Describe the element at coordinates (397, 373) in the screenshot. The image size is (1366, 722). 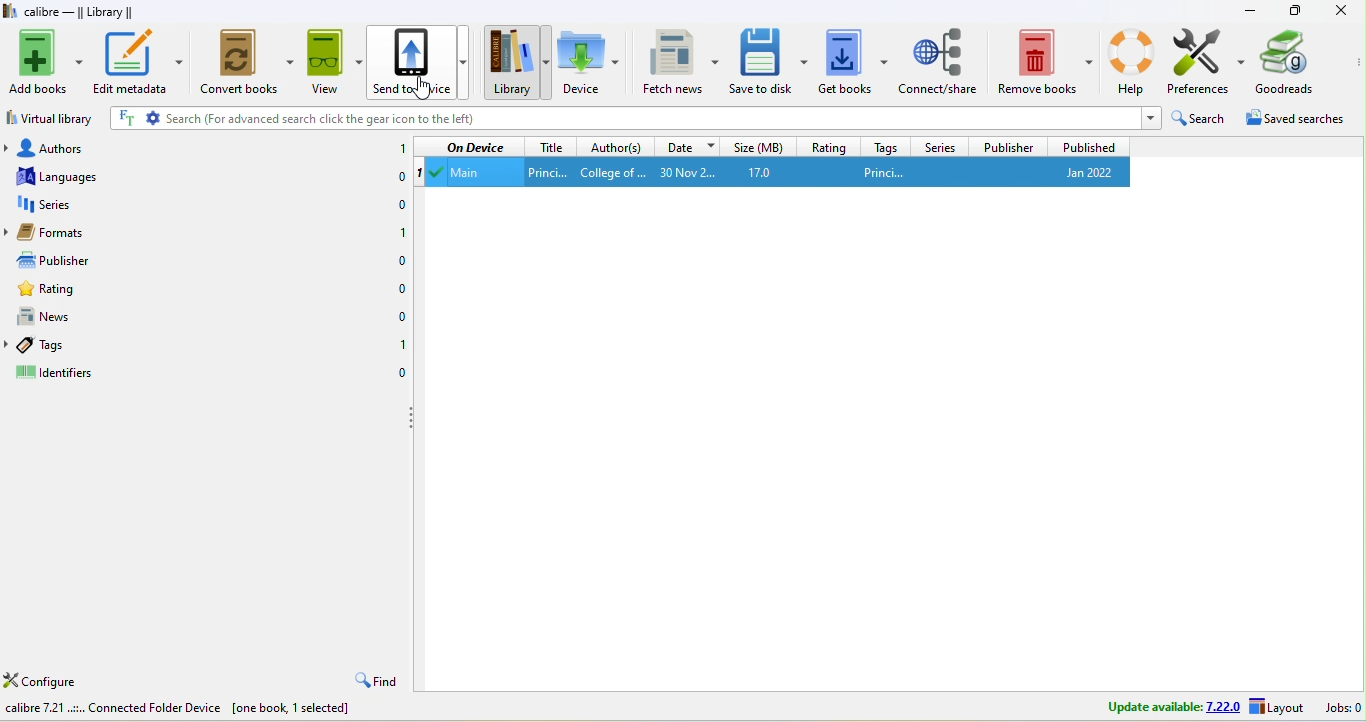
I see `0` at that location.